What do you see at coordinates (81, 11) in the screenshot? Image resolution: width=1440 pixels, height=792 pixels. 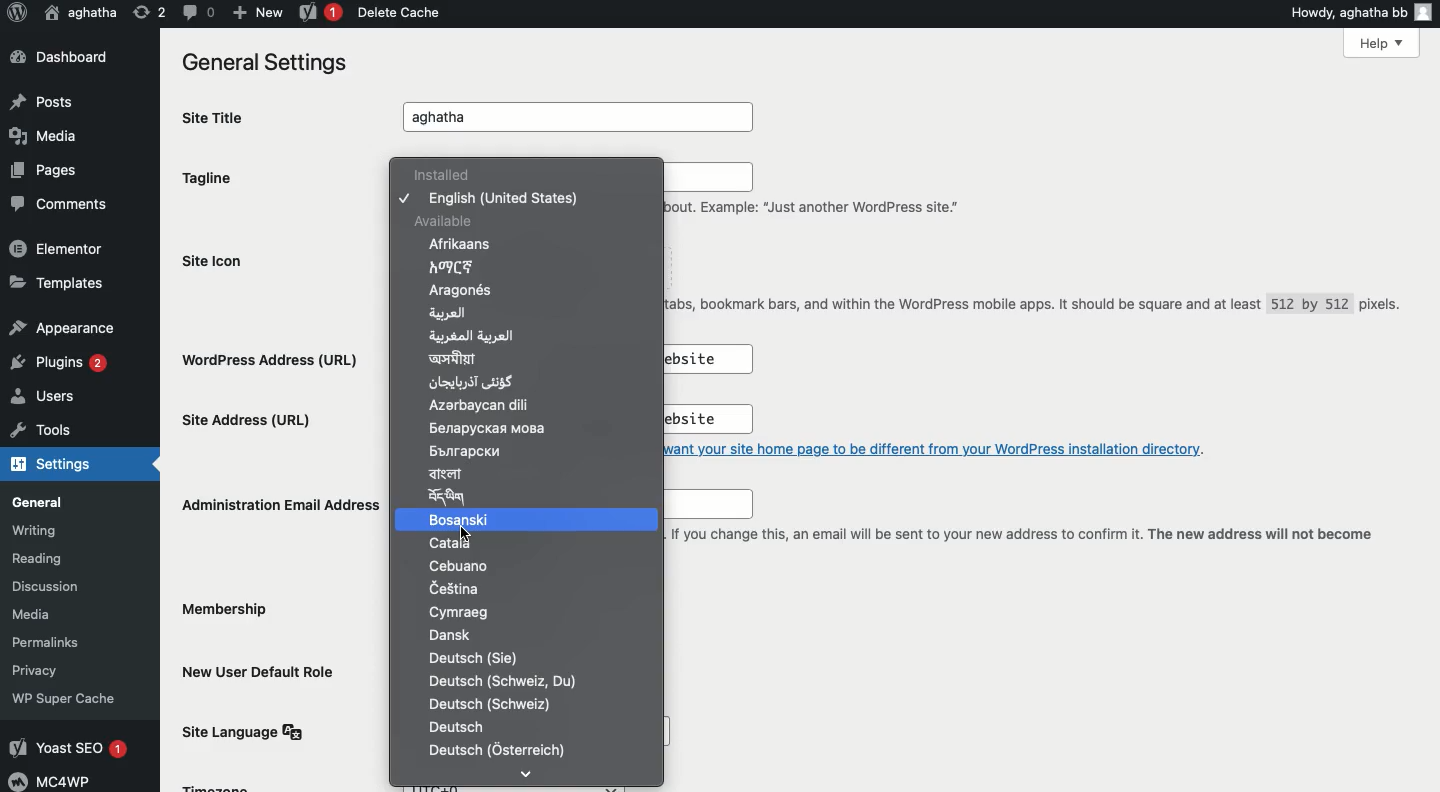 I see `aghatha` at bounding box center [81, 11].